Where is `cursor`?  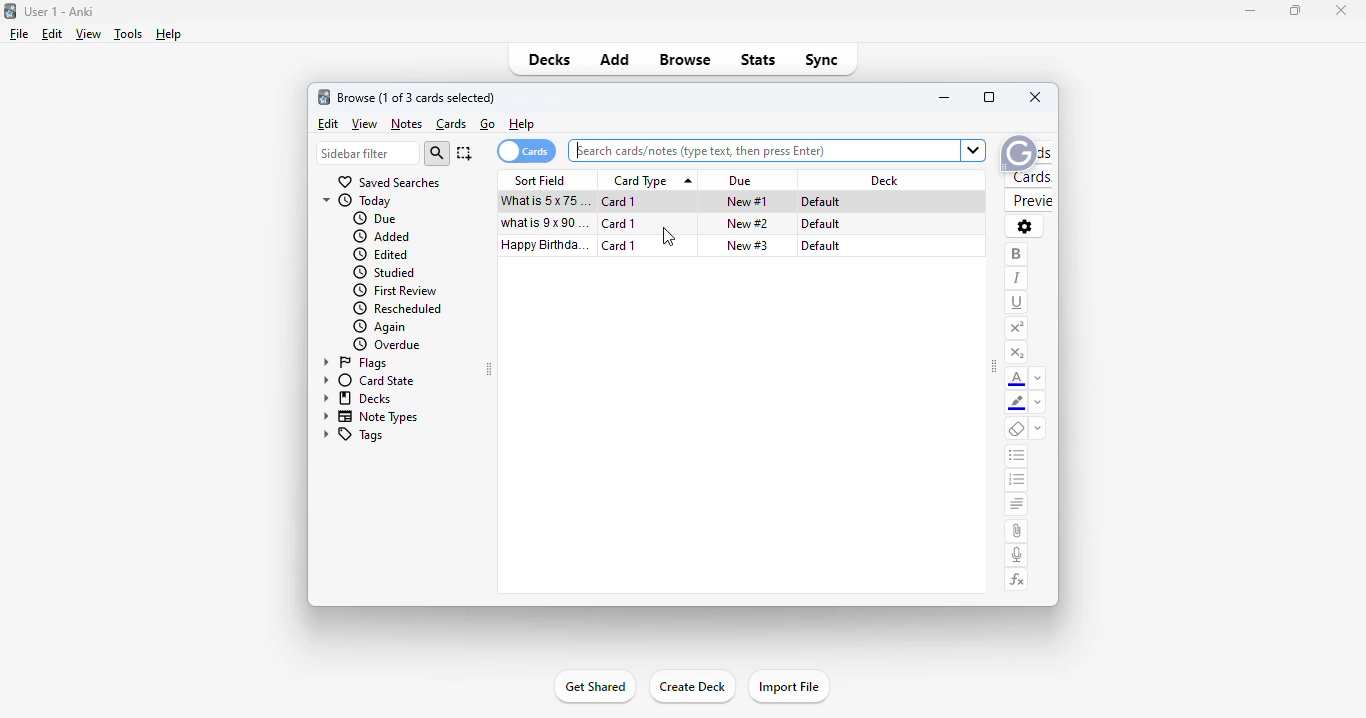
cursor is located at coordinates (667, 237).